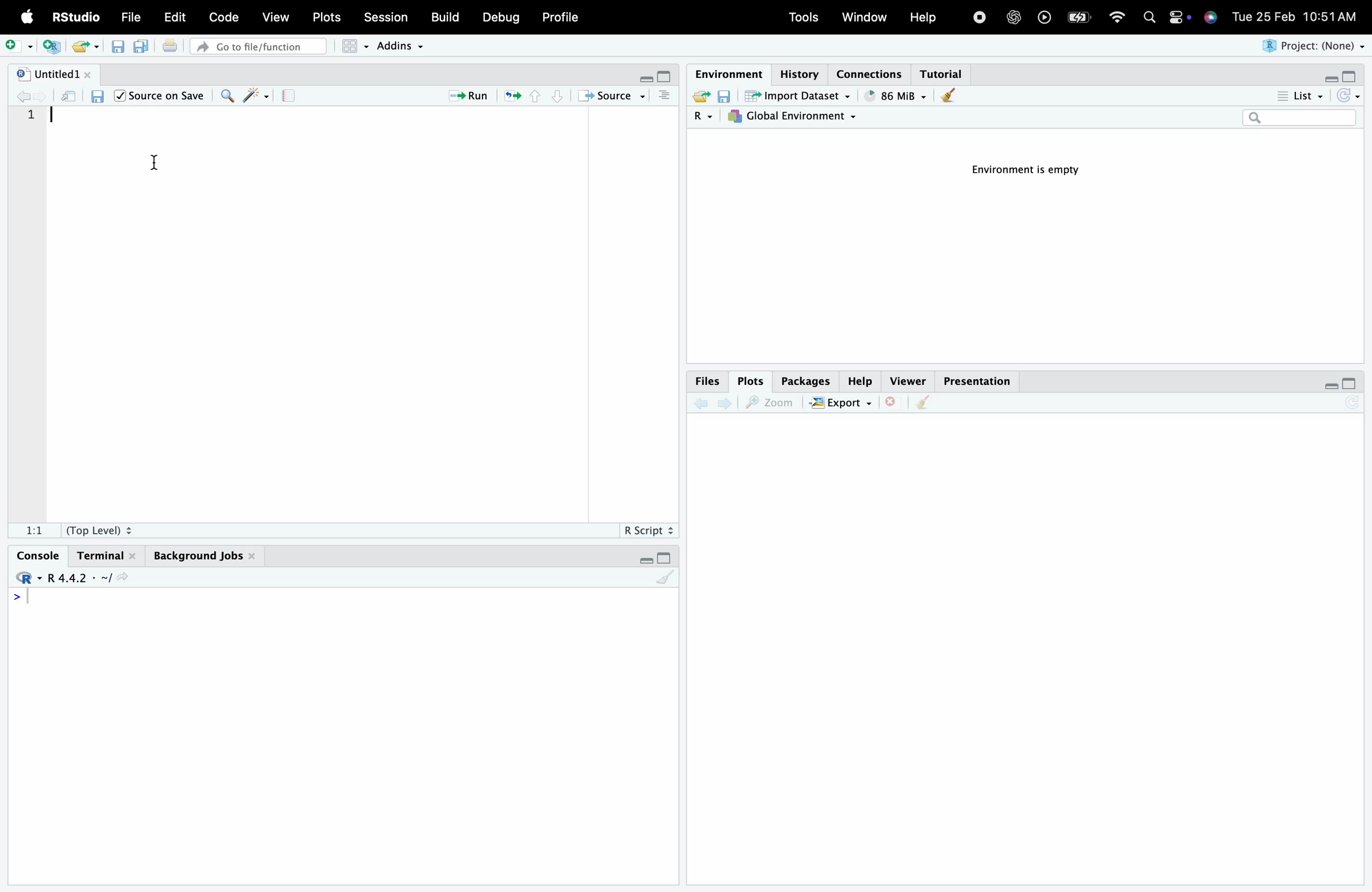 This screenshot has height=892, width=1372. What do you see at coordinates (293, 98) in the screenshot?
I see `notebook` at bounding box center [293, 98].